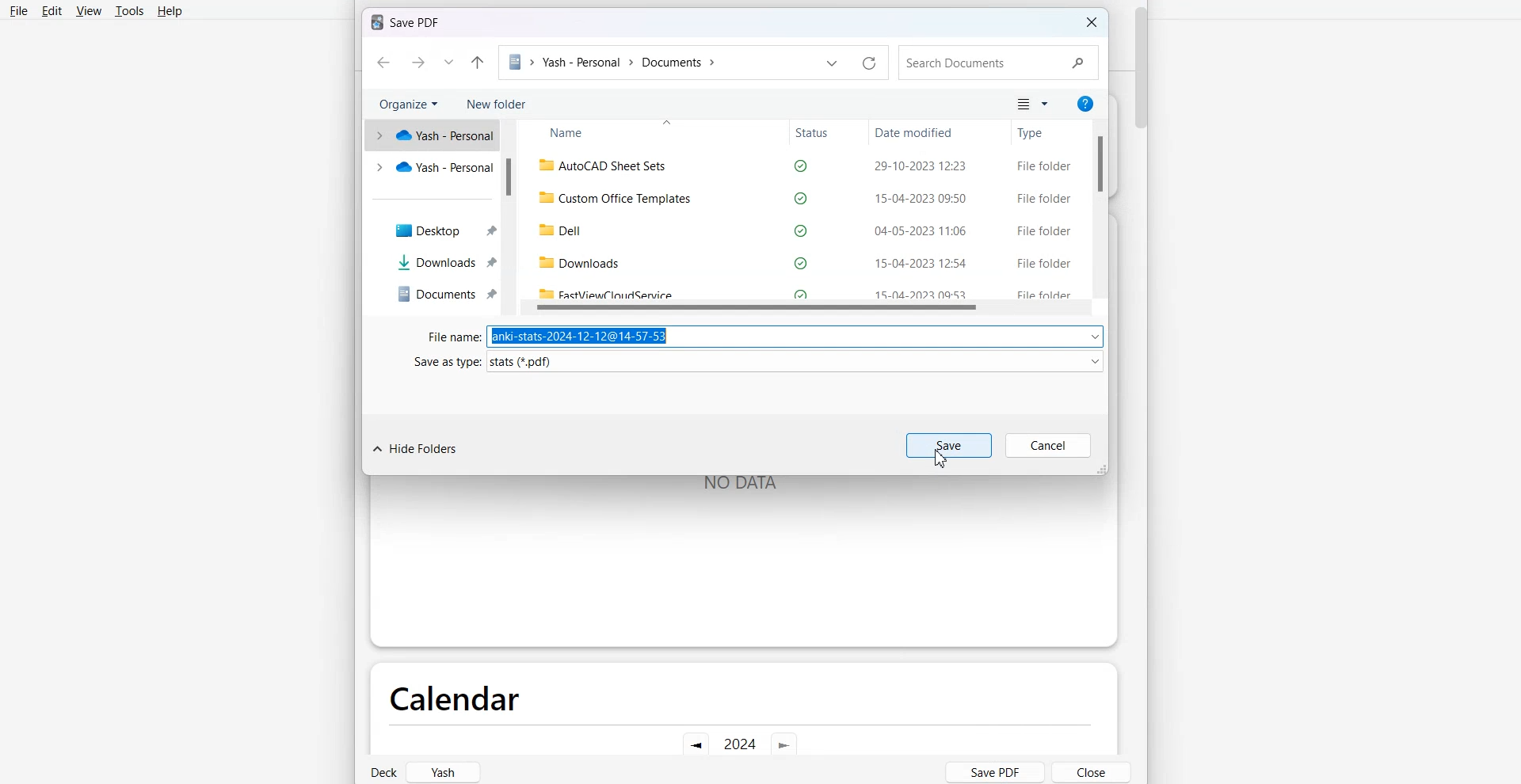  I want to click on dell, so click(804, 231).